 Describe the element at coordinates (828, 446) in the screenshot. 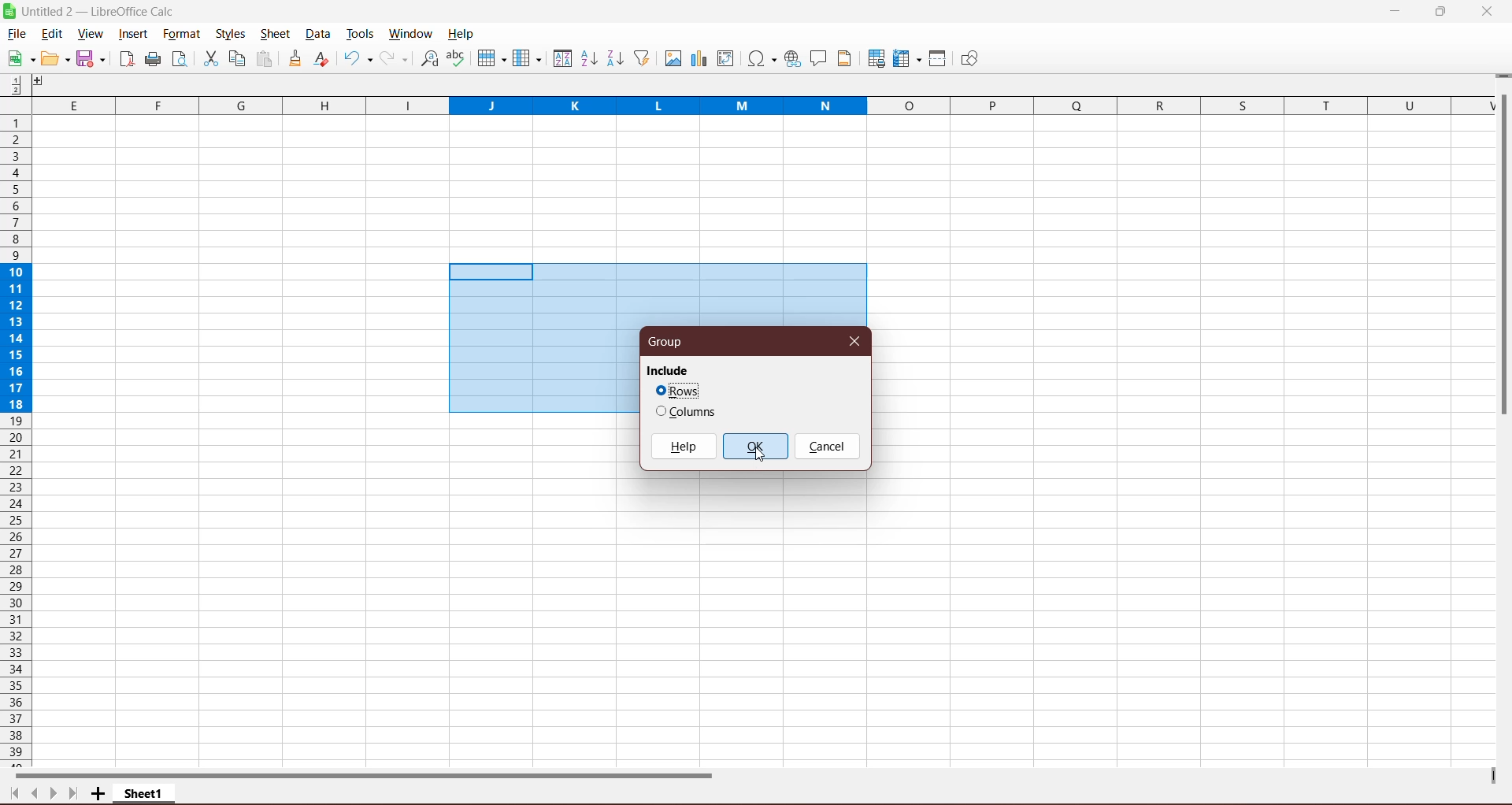

I see `Cancel` at that location.